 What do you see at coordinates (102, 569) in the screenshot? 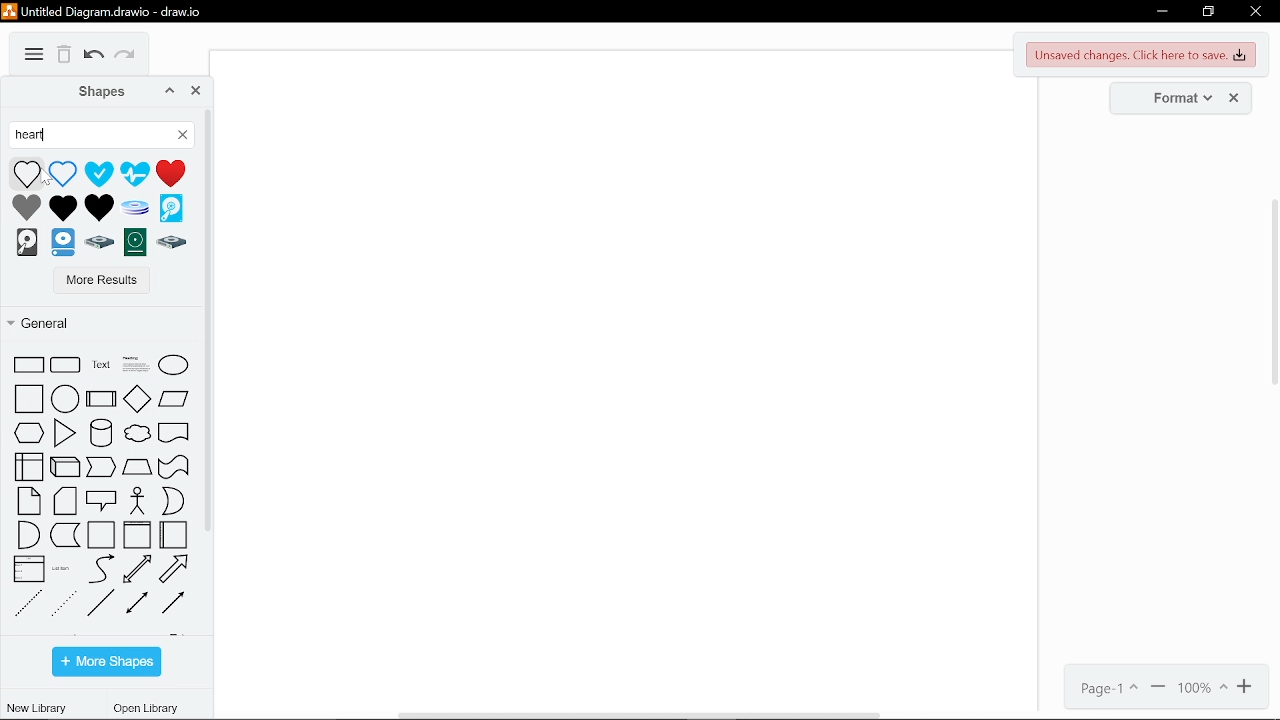
I see `curve` at bounding box center [102, 569].